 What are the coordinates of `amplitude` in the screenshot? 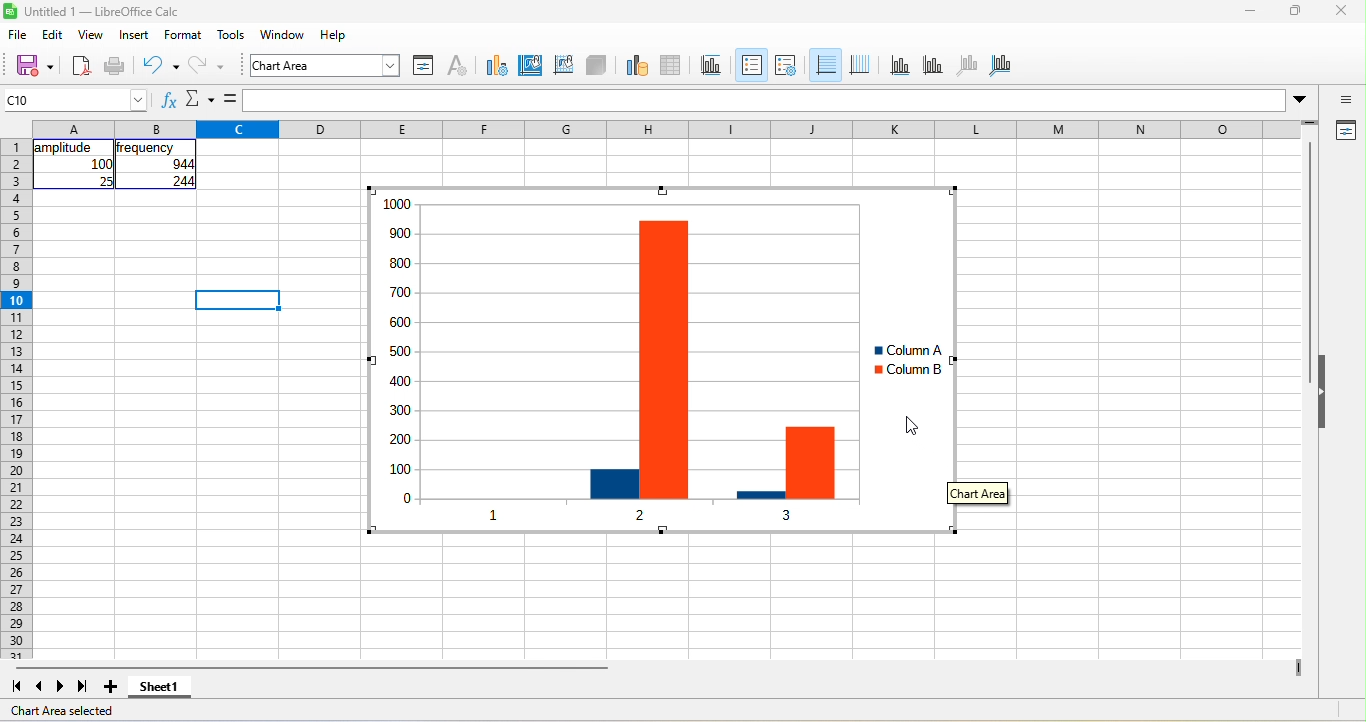 It's located at (66, 148).